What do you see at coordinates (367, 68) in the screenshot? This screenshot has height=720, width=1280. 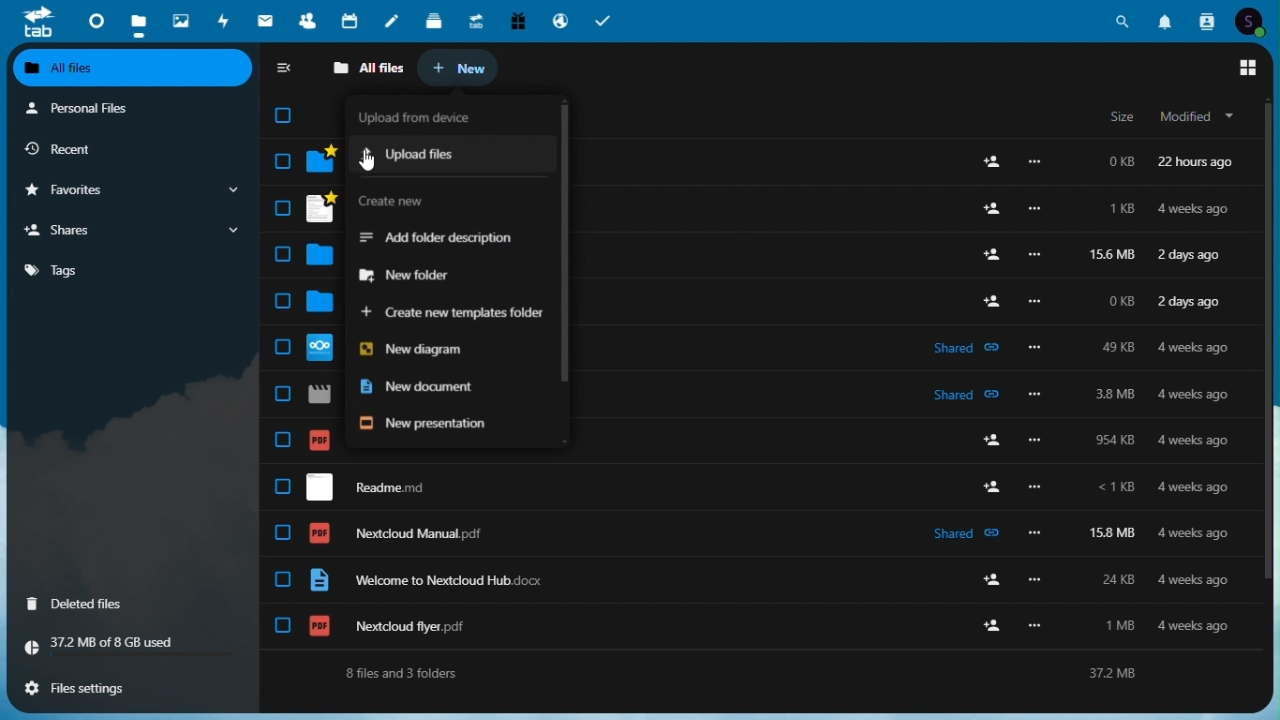 I see `all files` at bounding box center [367, 68].